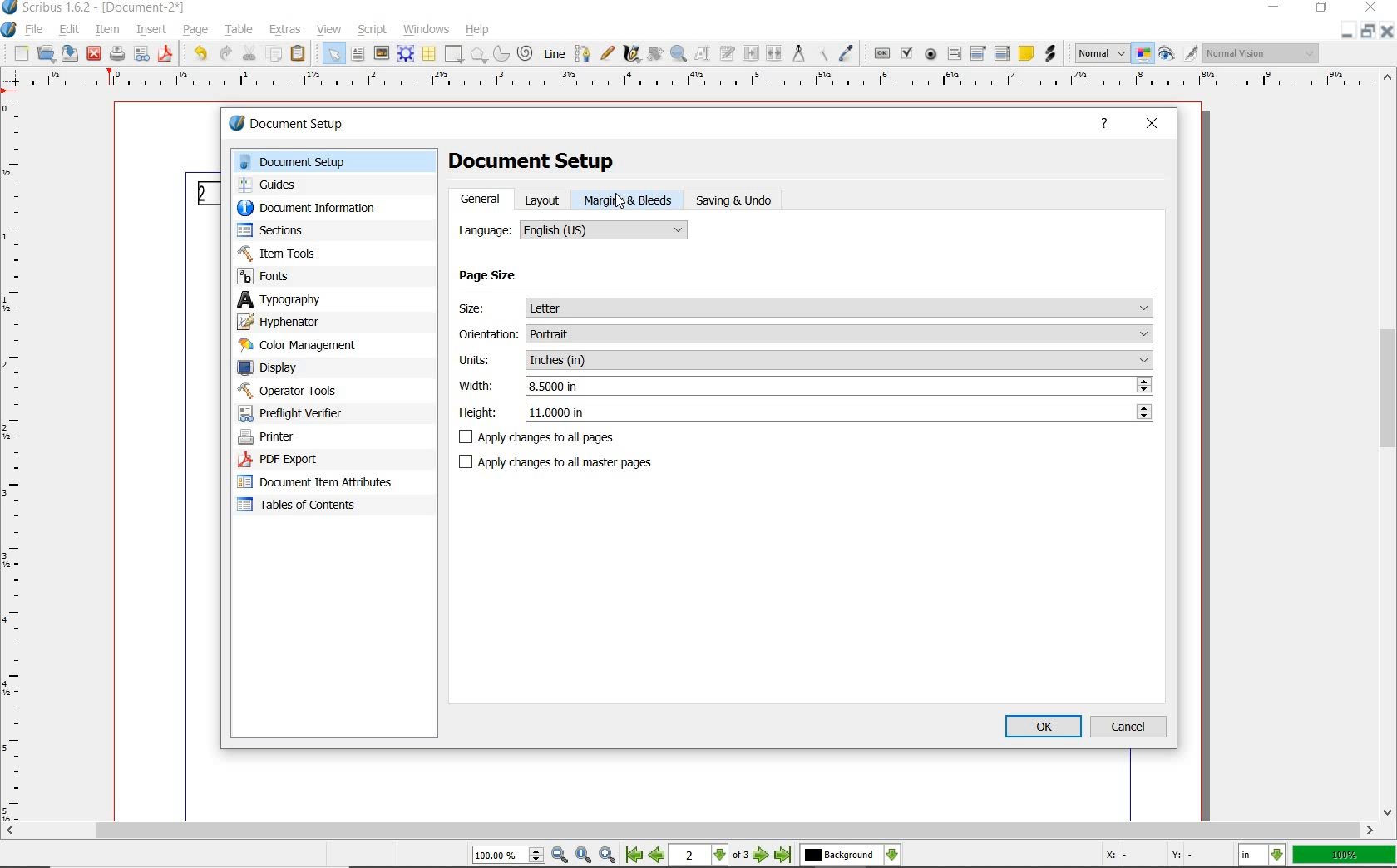 This screenshot has width=1397, height=868. Describe the element at coordinates (784, 856) in the screenshot. I see `Last Page` at that location.